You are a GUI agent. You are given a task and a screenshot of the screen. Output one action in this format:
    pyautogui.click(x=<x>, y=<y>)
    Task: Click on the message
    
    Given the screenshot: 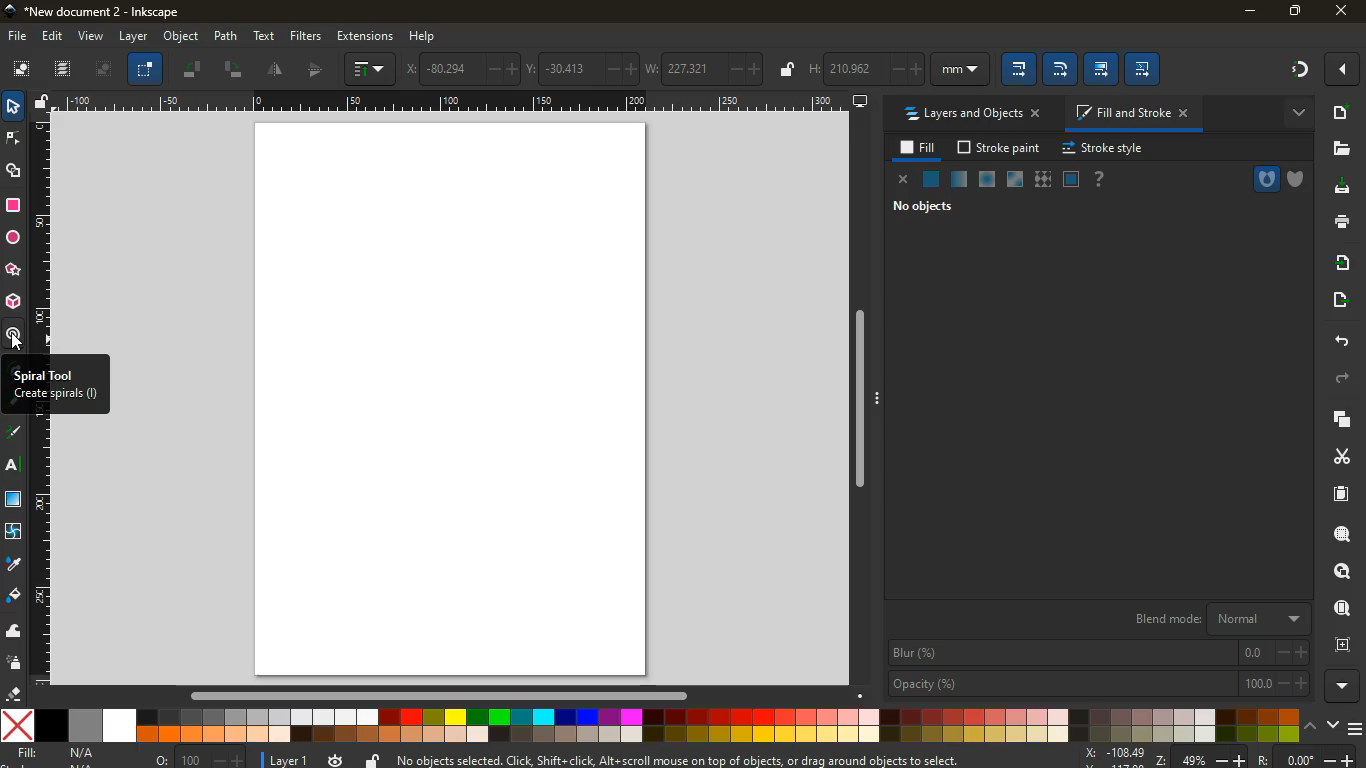 What is the action you would take?
    pyautogui.click(x=681, y=760)
    